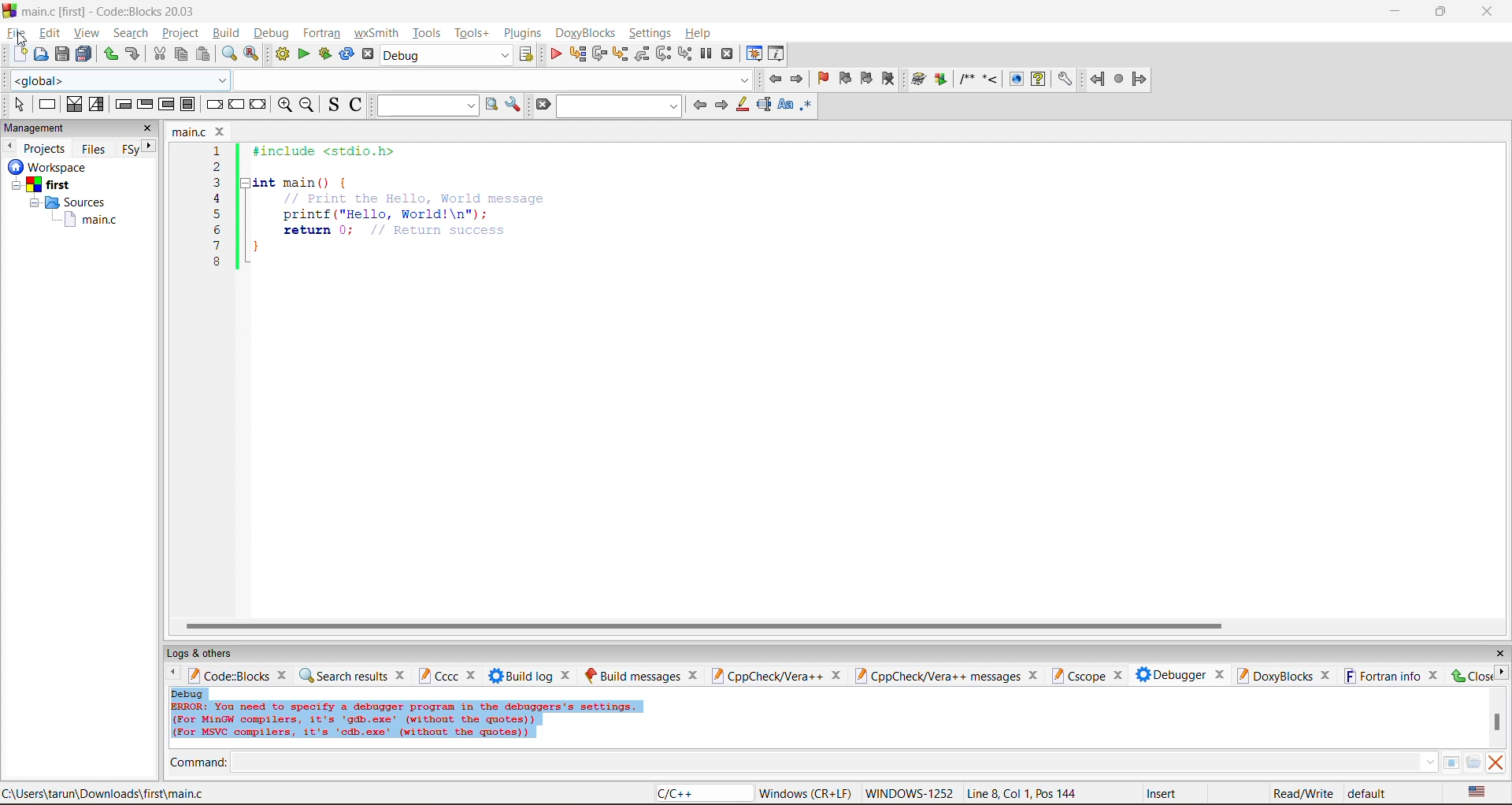 The width and height of the screenshot is (1512, 805). I want to click on comment, so click(966, 79).